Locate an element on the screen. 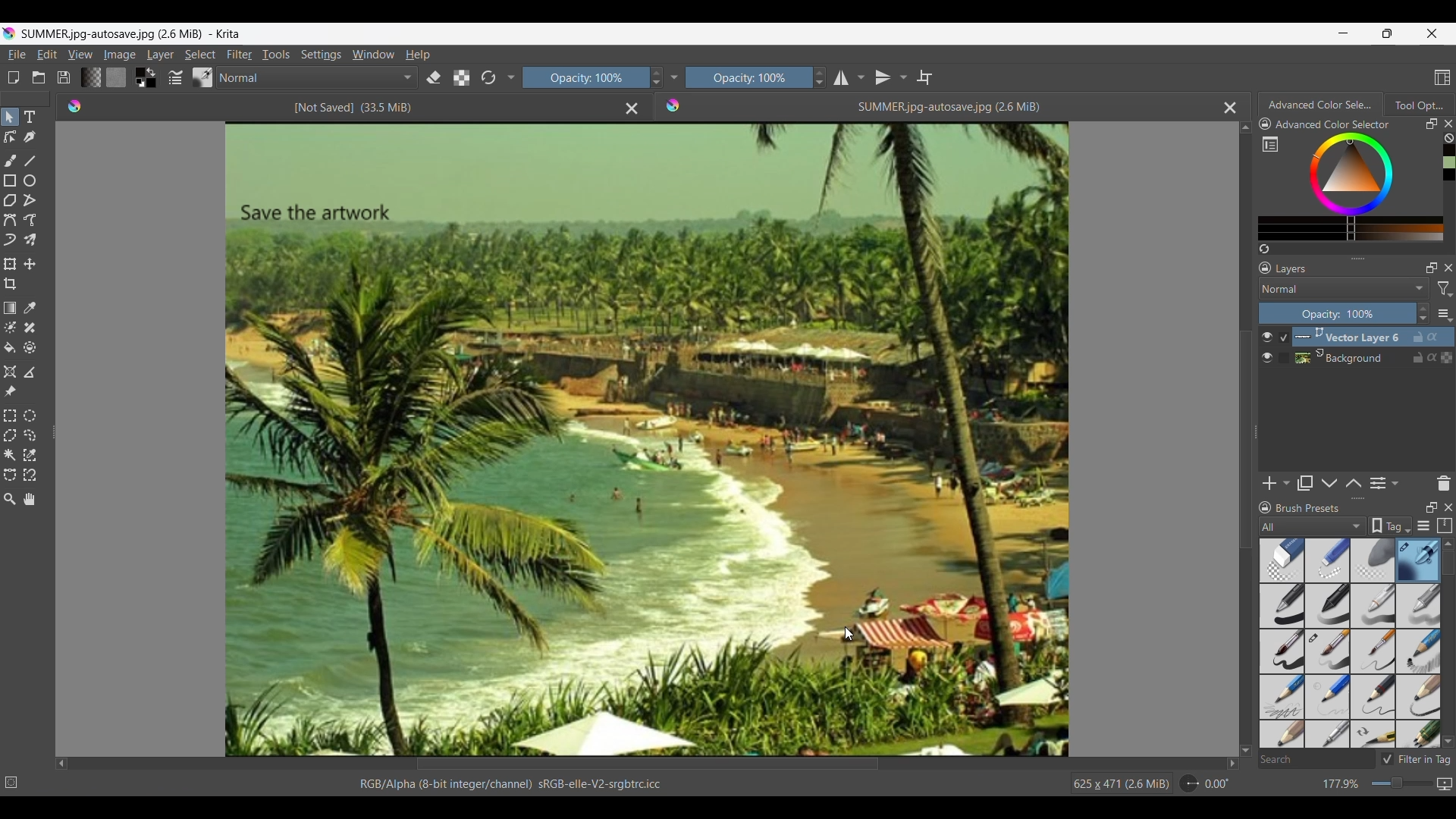 Image resolution: width=1456 pixels, height=819 pixels. View is located at coordinates (80, 55).